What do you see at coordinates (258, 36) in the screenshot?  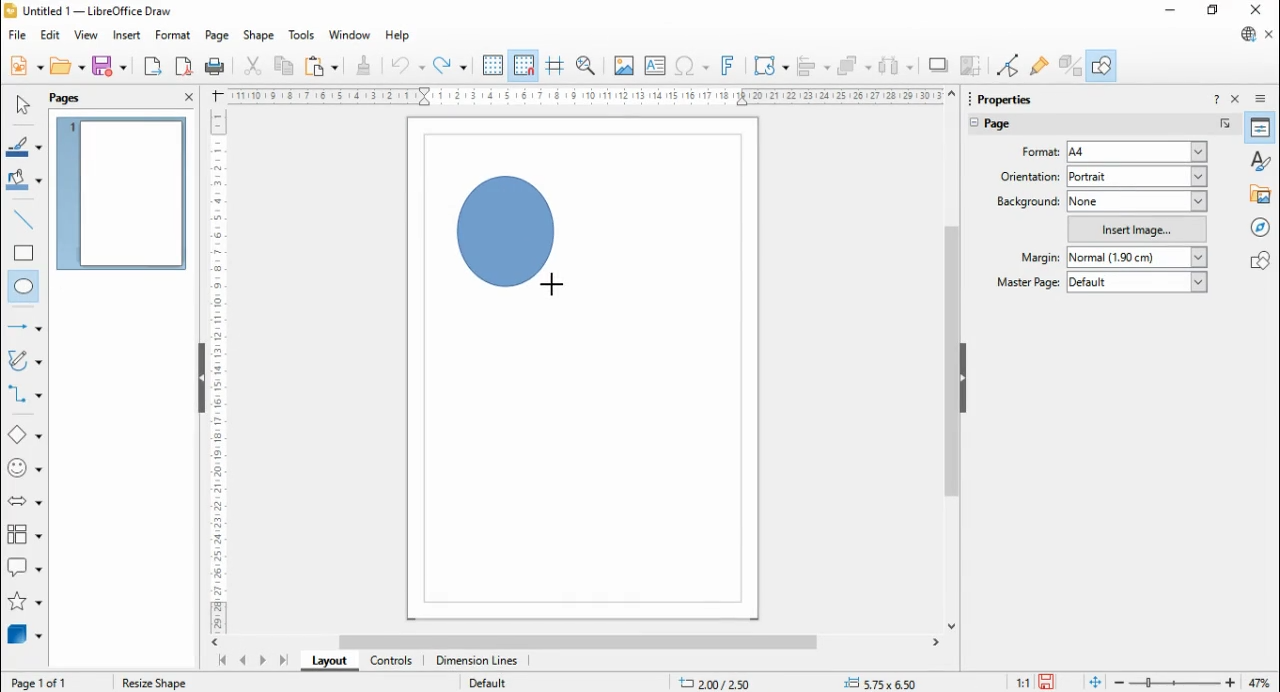 I see `shape` at bounding box center [258, 36].